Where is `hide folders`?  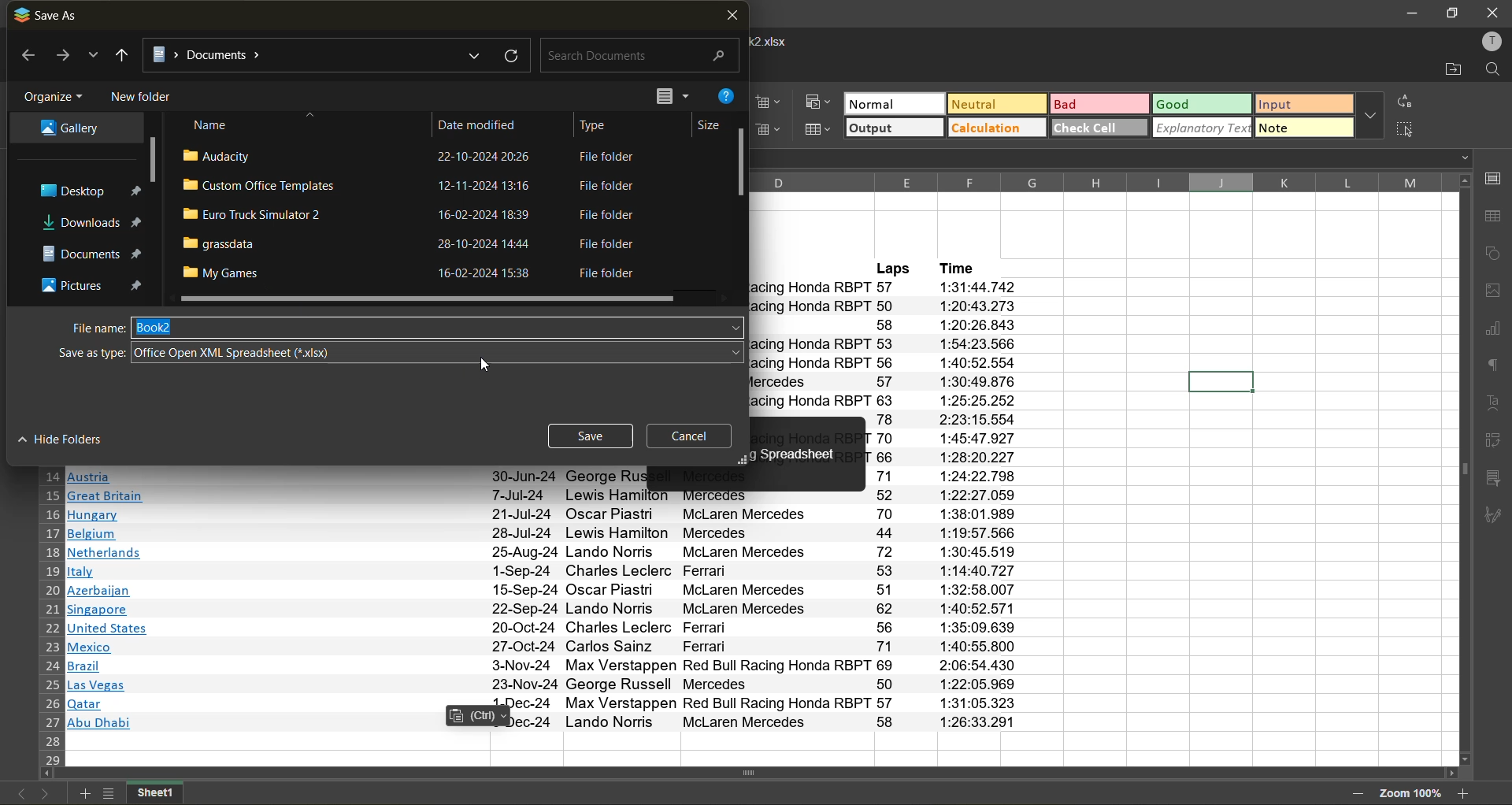
hide folders is located at coordinates (70, 440).